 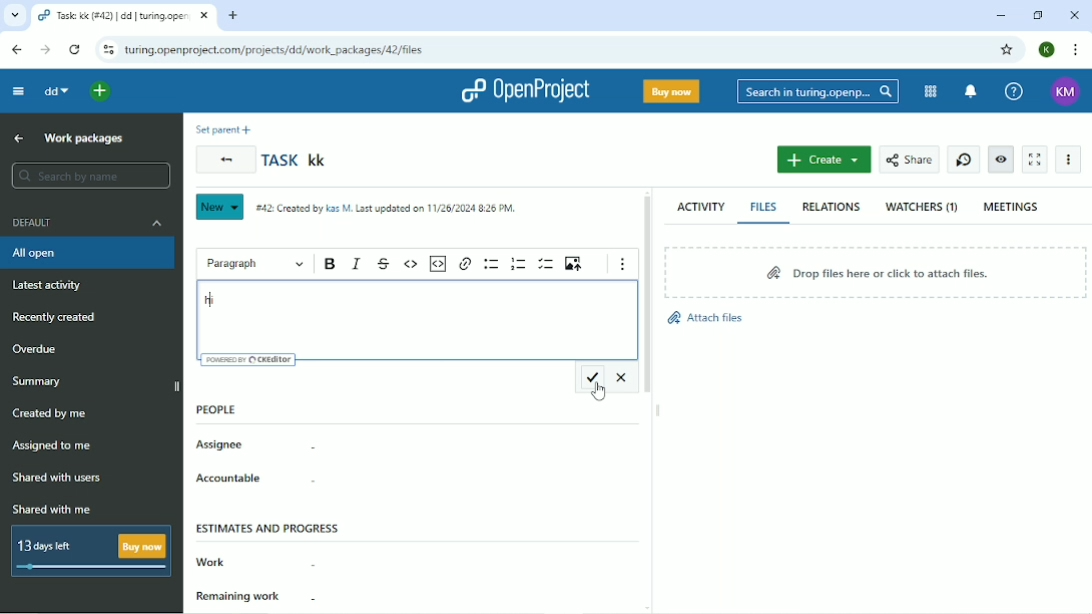 I want to click on Bulleted list, so click(x=491, y=263).